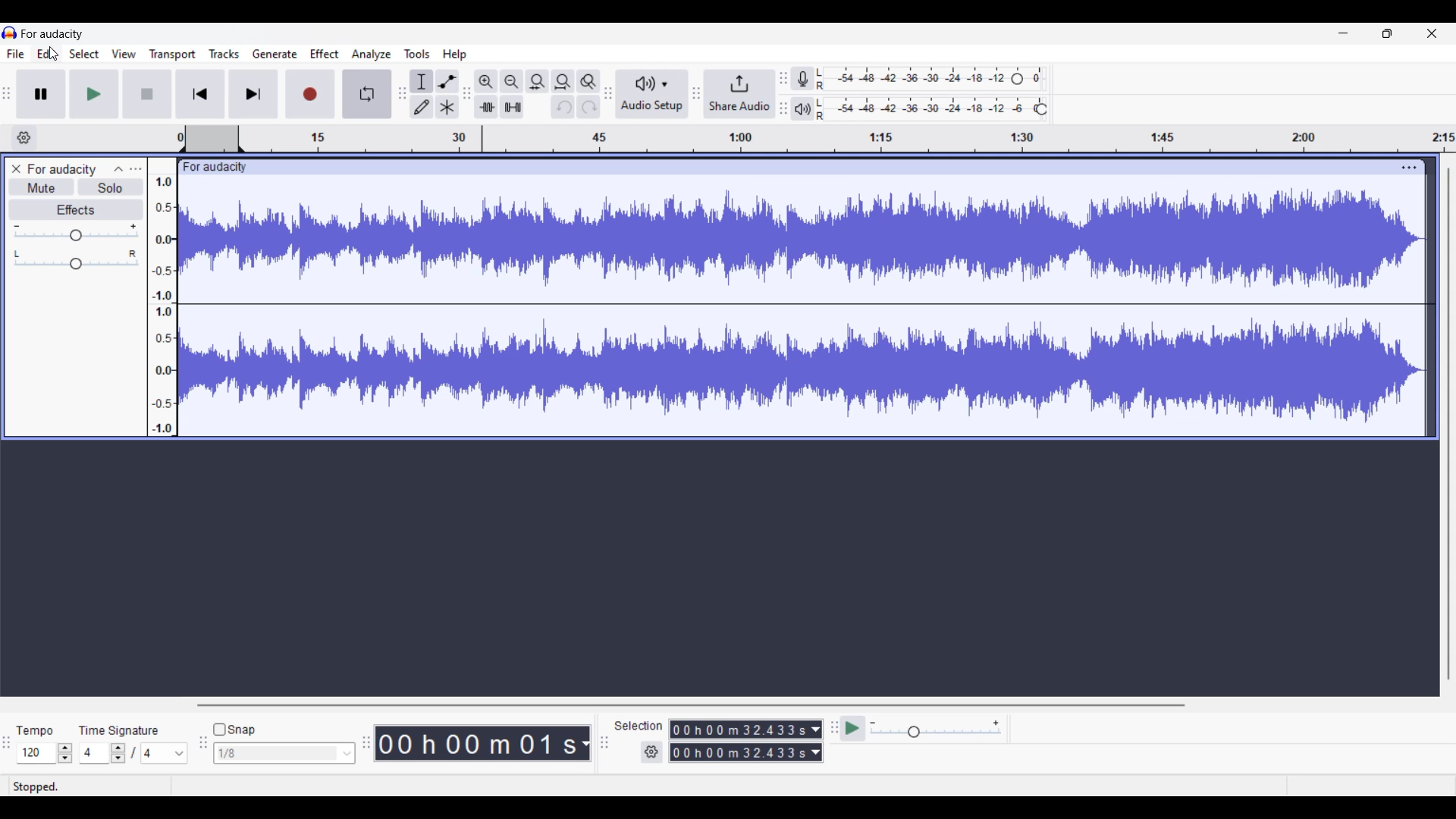 Image resolution: width=1456 pixels, height=819 pixels. I want to click on Input tempo, so click(36, 753).